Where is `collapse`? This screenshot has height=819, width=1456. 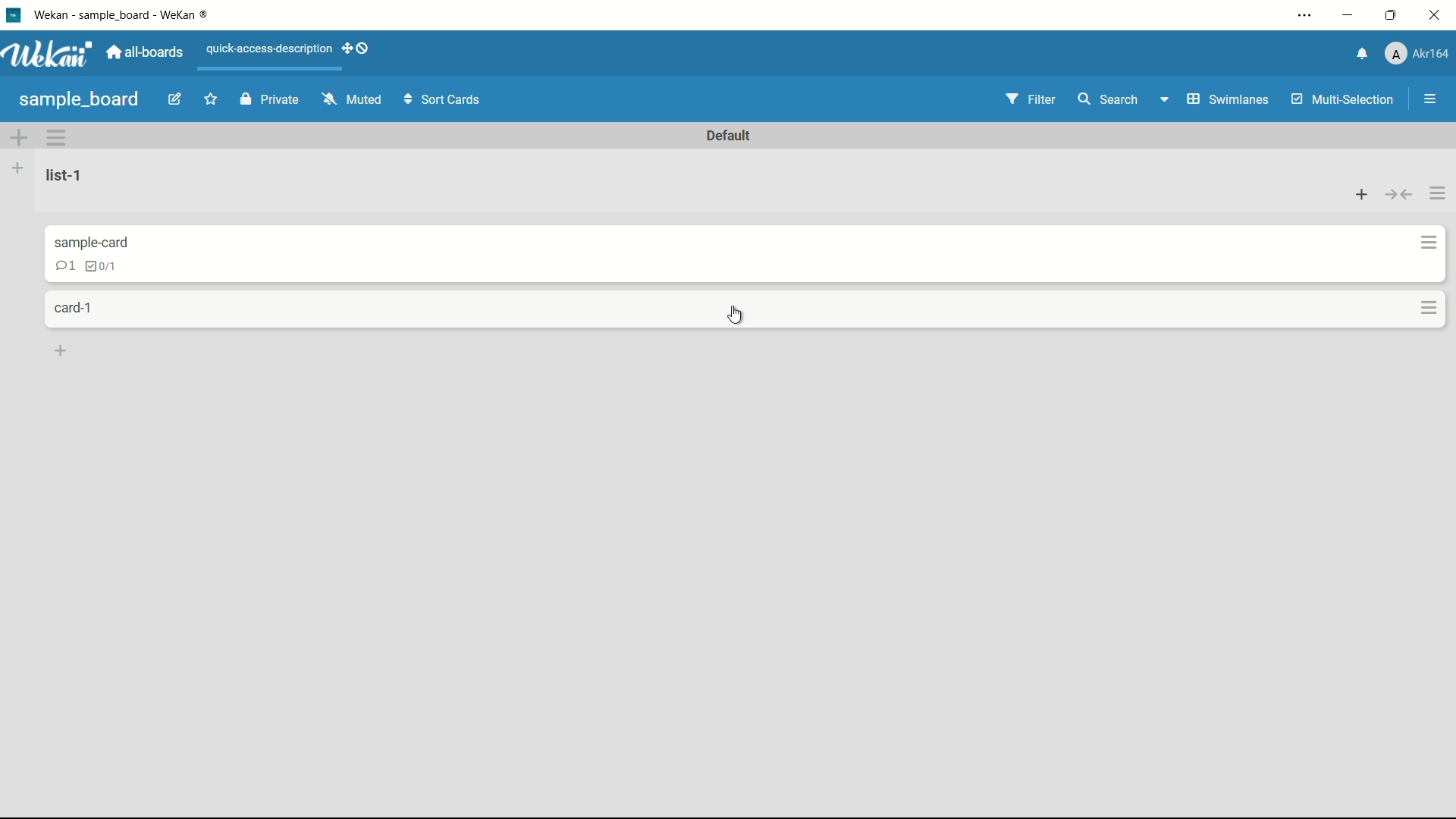
collapse is located at coordinates (1398, 190).